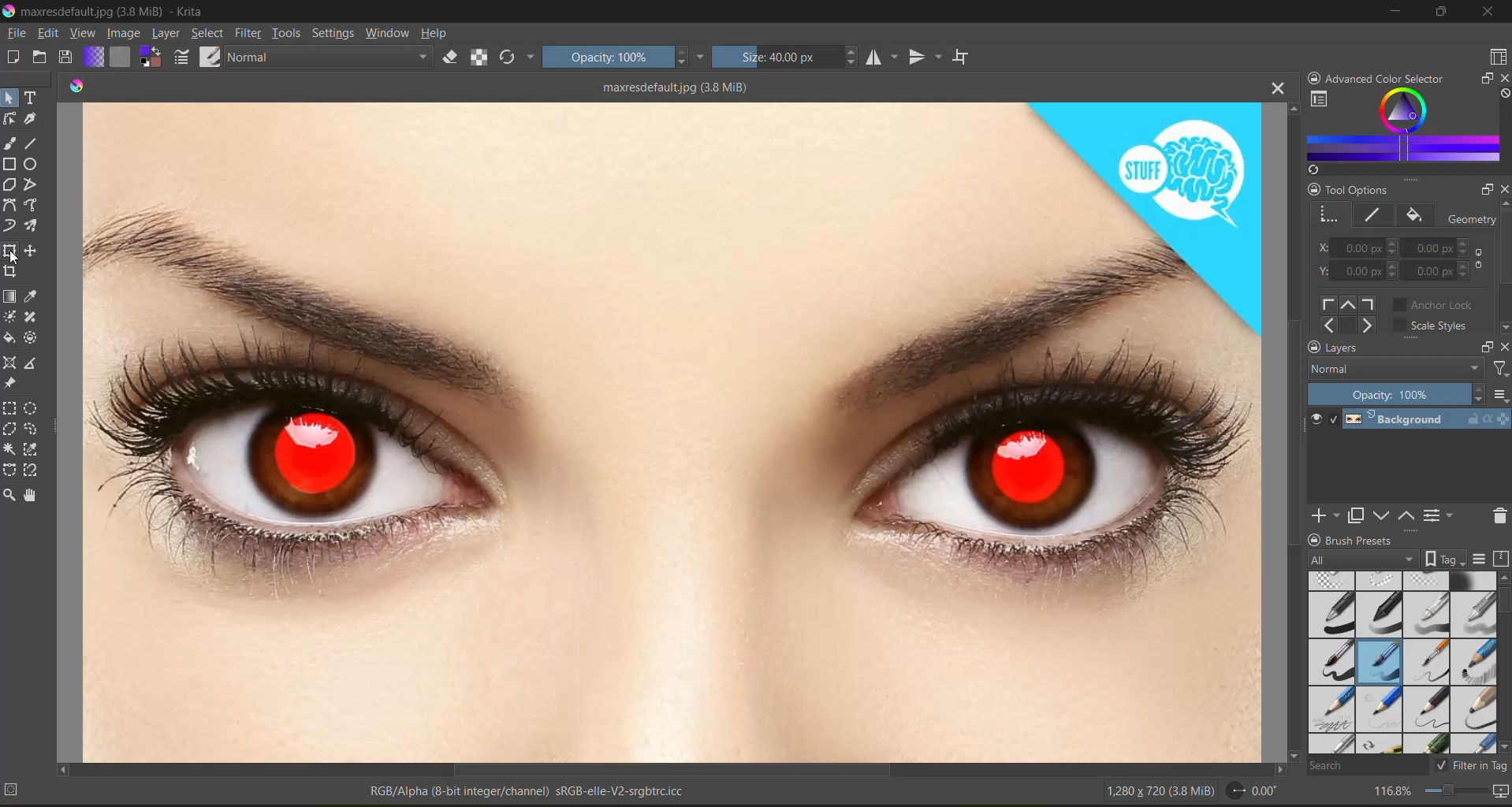 This screenshot has width=1512, height=807. Describe the element at coordinates (512, 58) in the screenshot. I see `reload original preset` at that location.